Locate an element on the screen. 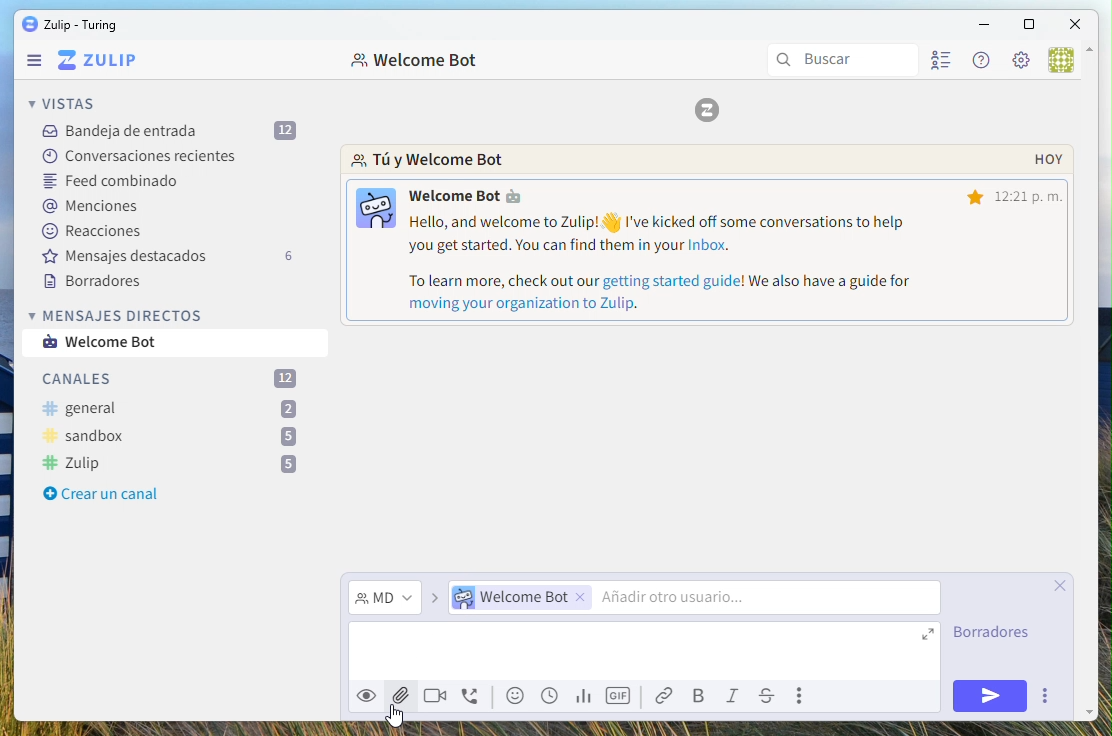 The width and height of the screenshot is (1112, 736). Minimize is located at coordinates (983, 24).